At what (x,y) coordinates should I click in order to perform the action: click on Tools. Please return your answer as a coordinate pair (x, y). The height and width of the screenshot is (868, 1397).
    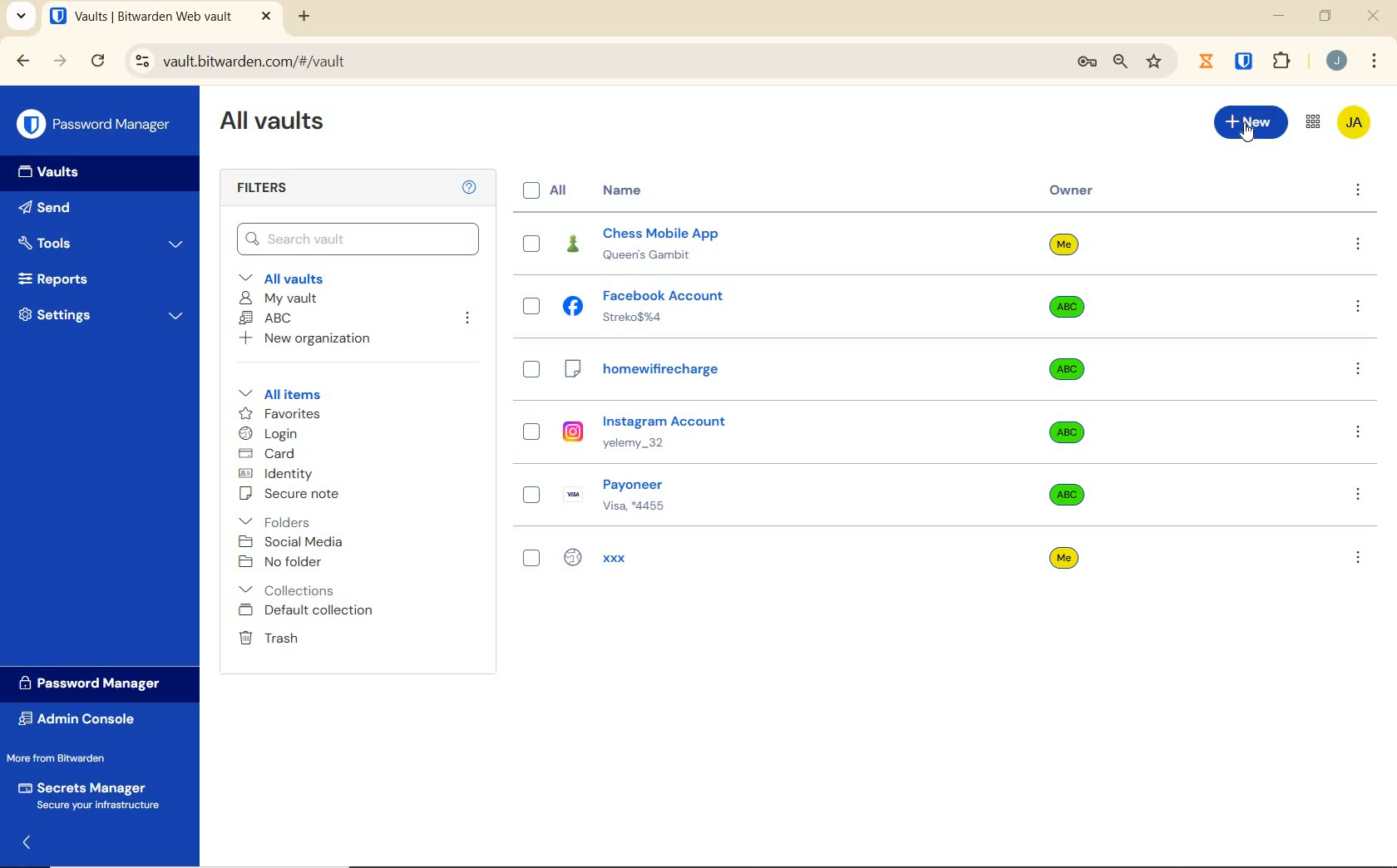
    Looking at the image, I should click on (101, 240).